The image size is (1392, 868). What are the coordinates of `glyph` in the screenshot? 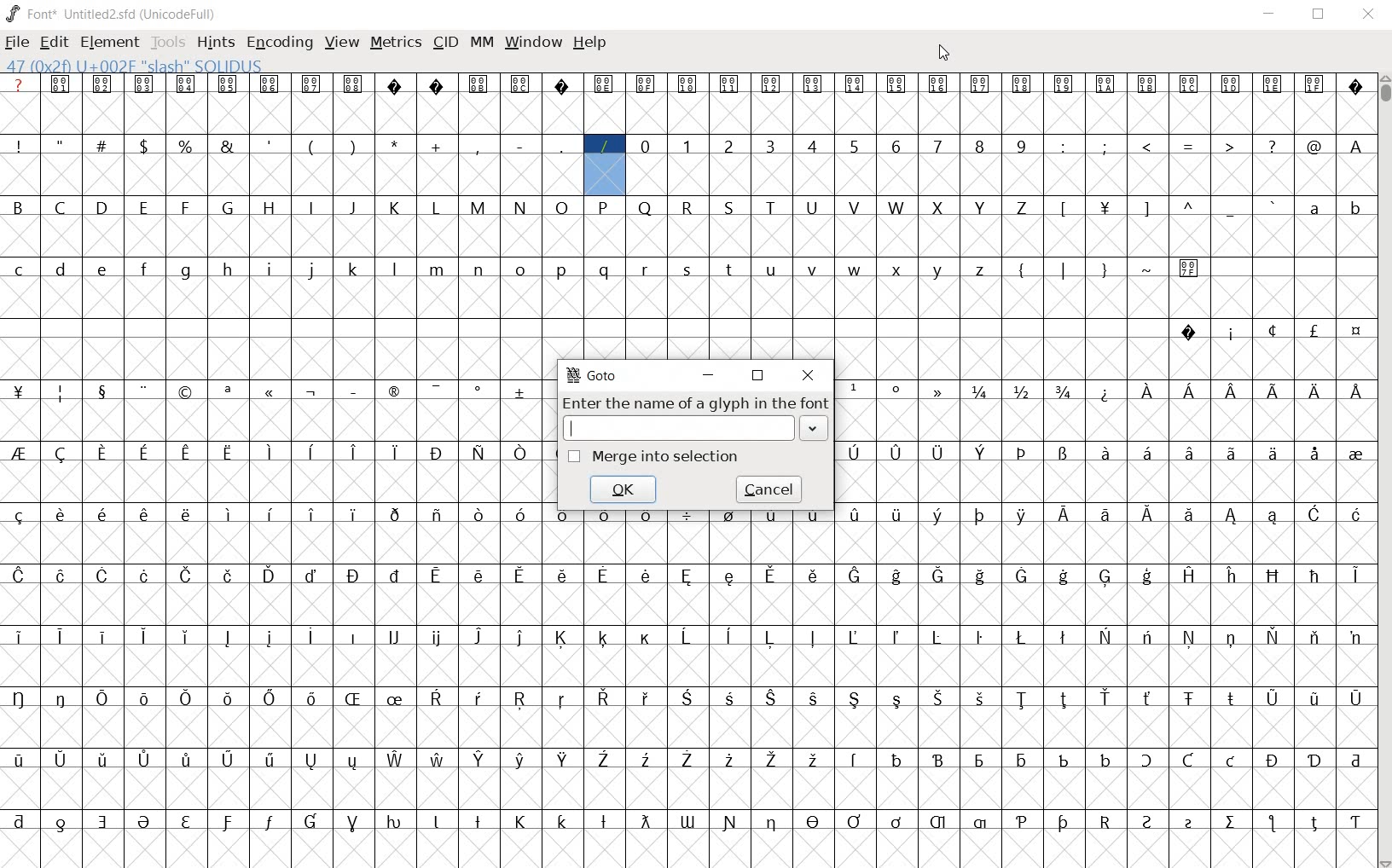 It's located at (981, 271).